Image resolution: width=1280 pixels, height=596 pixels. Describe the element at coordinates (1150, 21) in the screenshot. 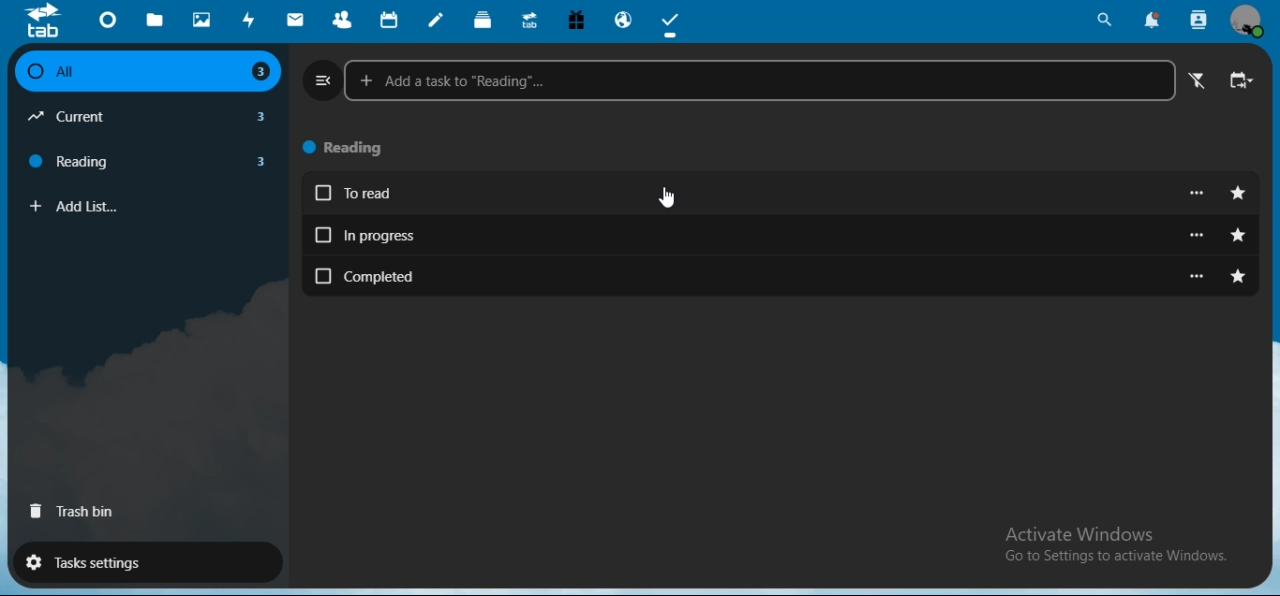

I see `notifications` at that location.